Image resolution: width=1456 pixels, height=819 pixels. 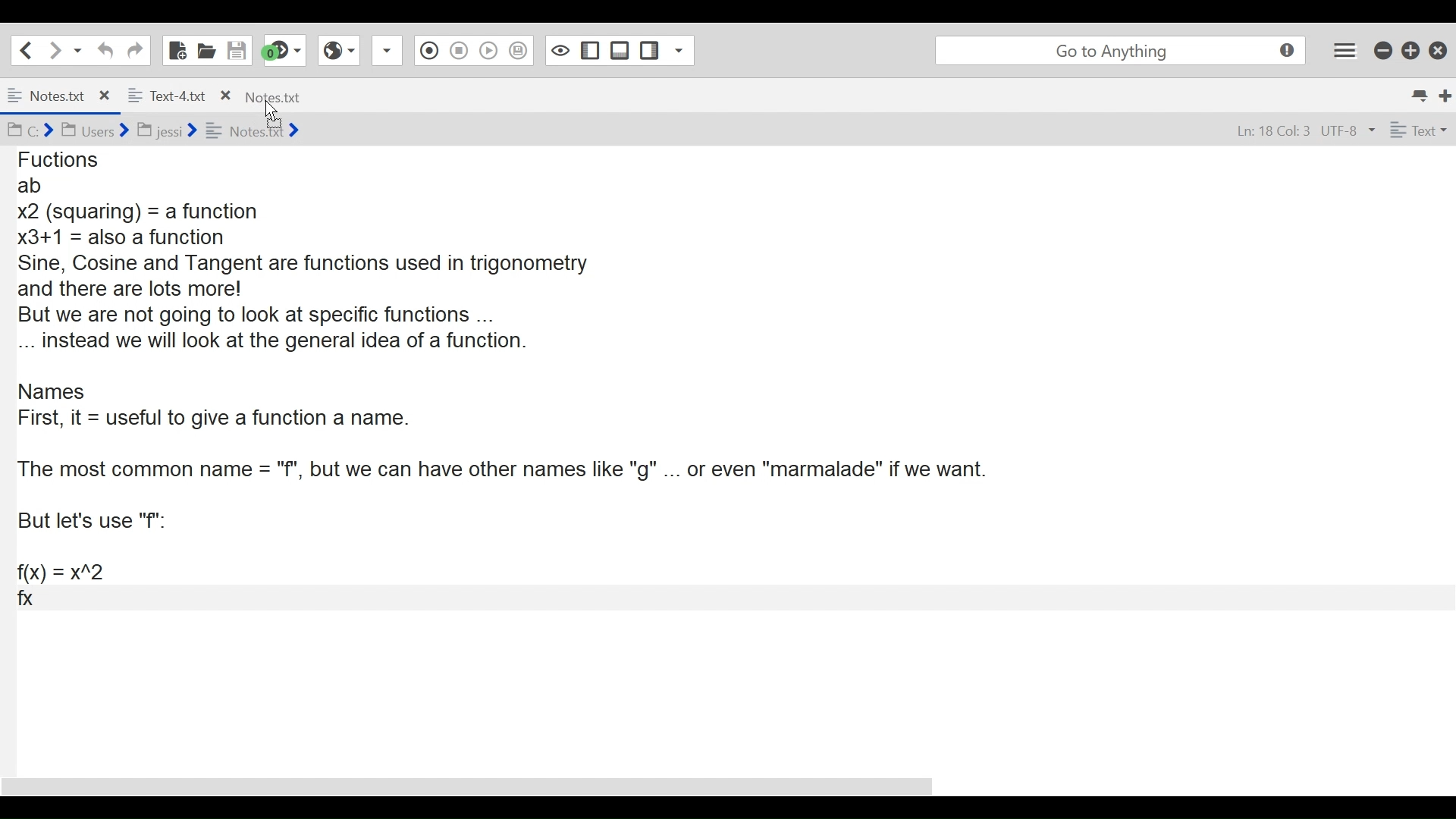 I want to click on notes.txt, so click(x=253, y=130).